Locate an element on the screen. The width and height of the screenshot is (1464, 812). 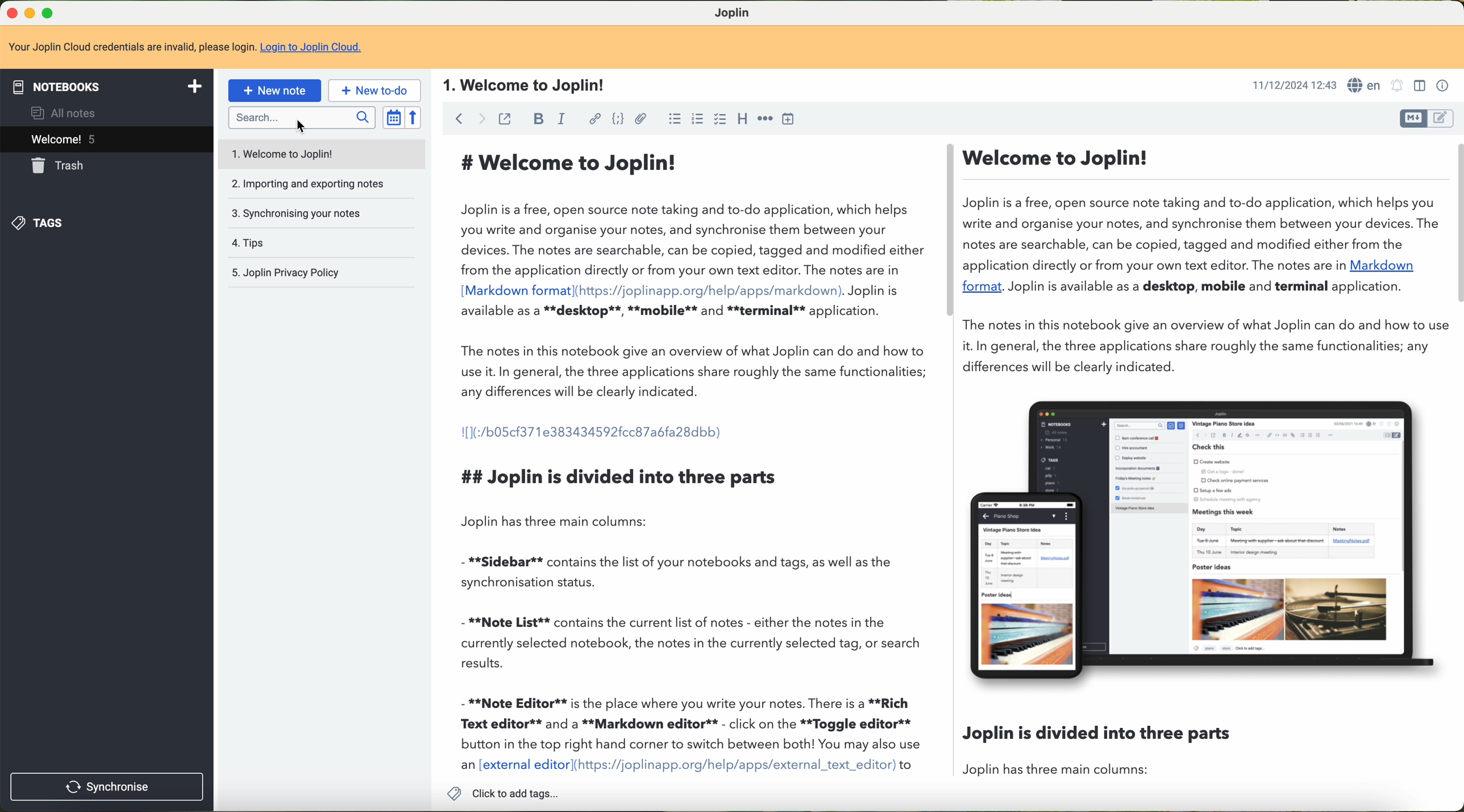
click on search bar is located at coordinates (301, 120).